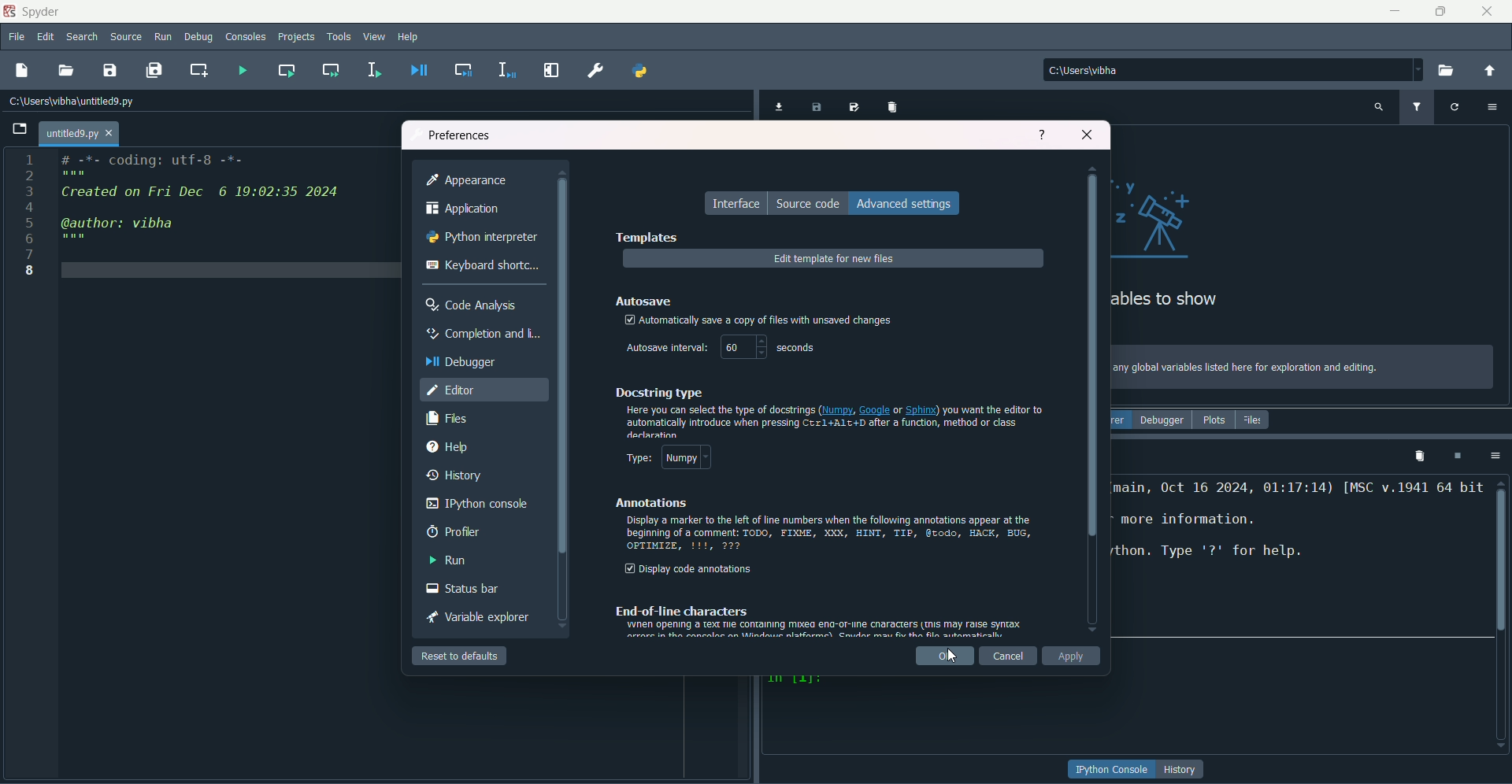 The width and height of the screenshot is (1512, 784). What do you see at coordinates (947, 657) in the screenshot?
I see `ok` at bounding box center [947, 657].